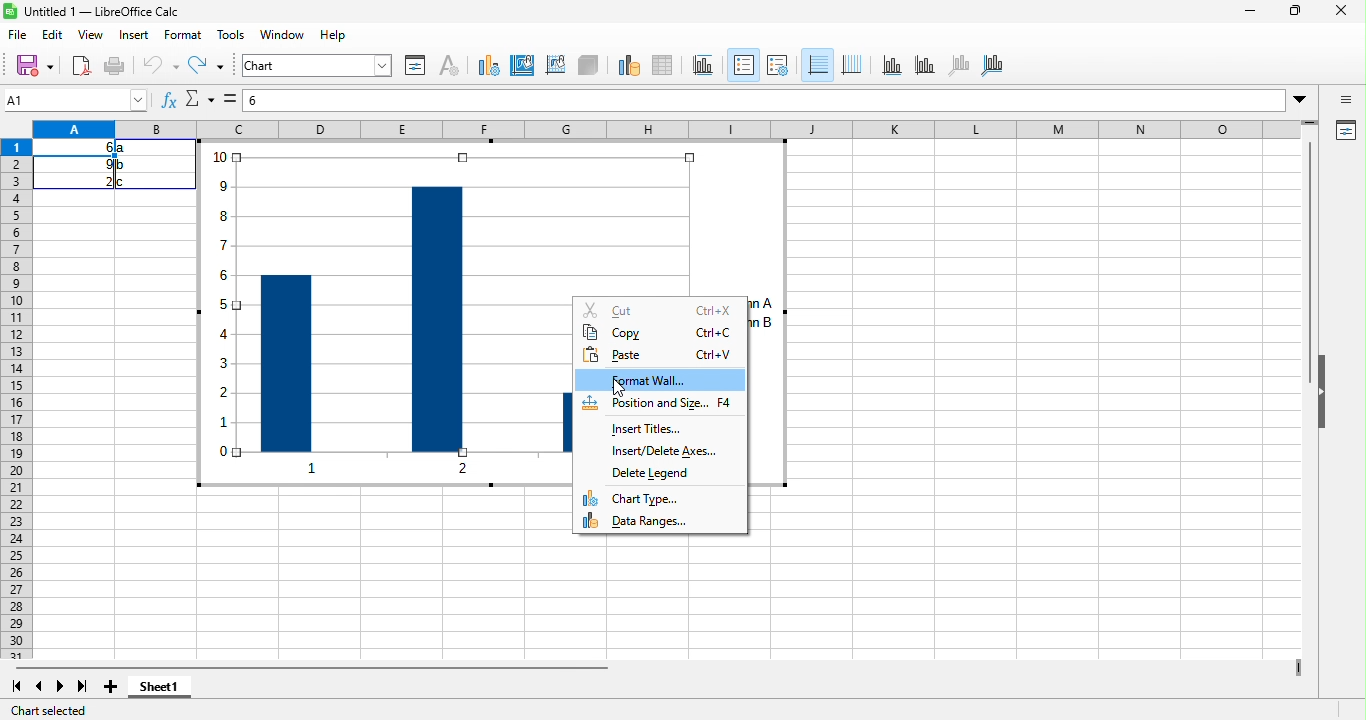 The image size is (1366, 720). Describe the element at coordinates (852, 64) in the screenshot. I see `vertical grid` at that location.